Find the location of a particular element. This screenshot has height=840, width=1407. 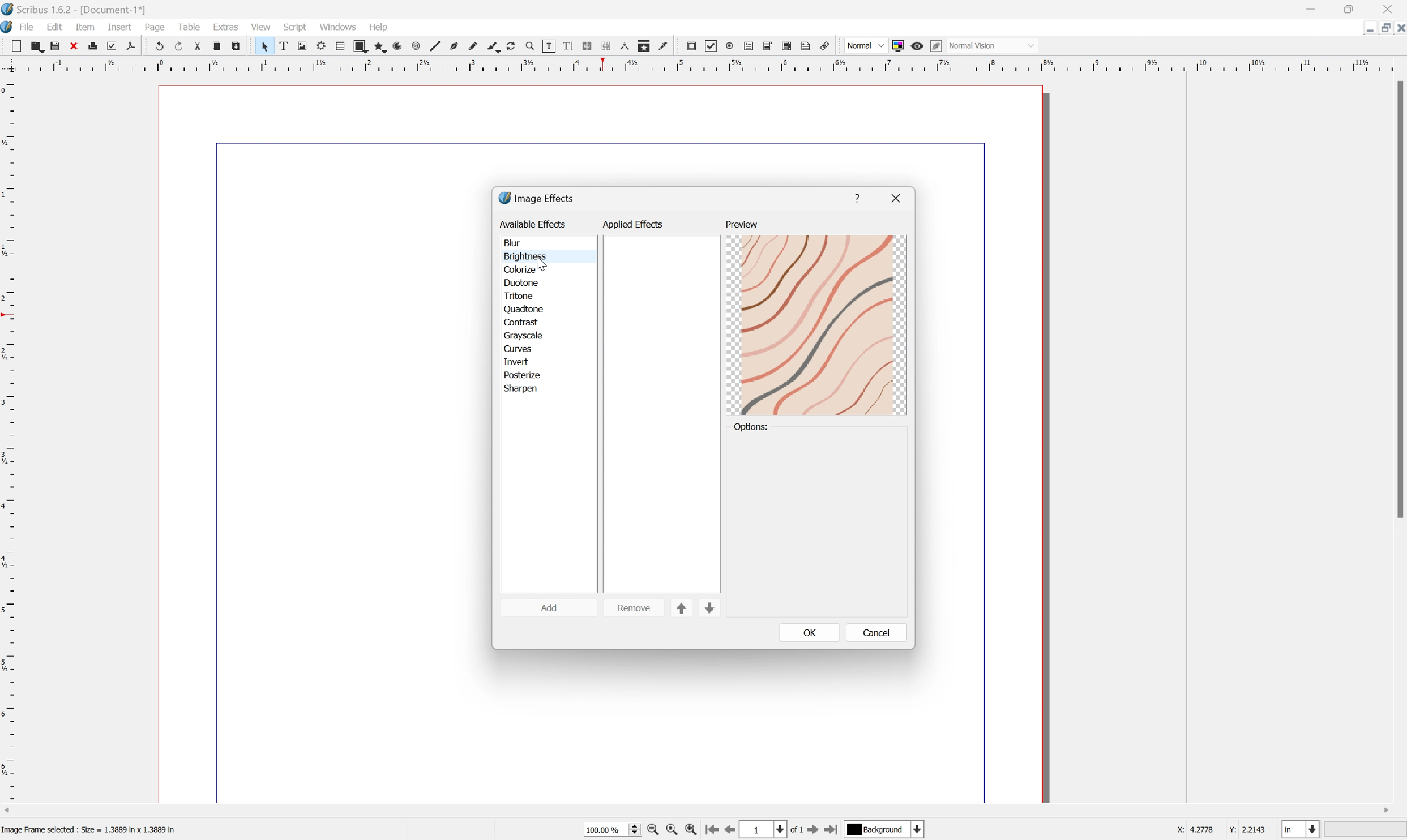

View is located at coordinates (261, 27).